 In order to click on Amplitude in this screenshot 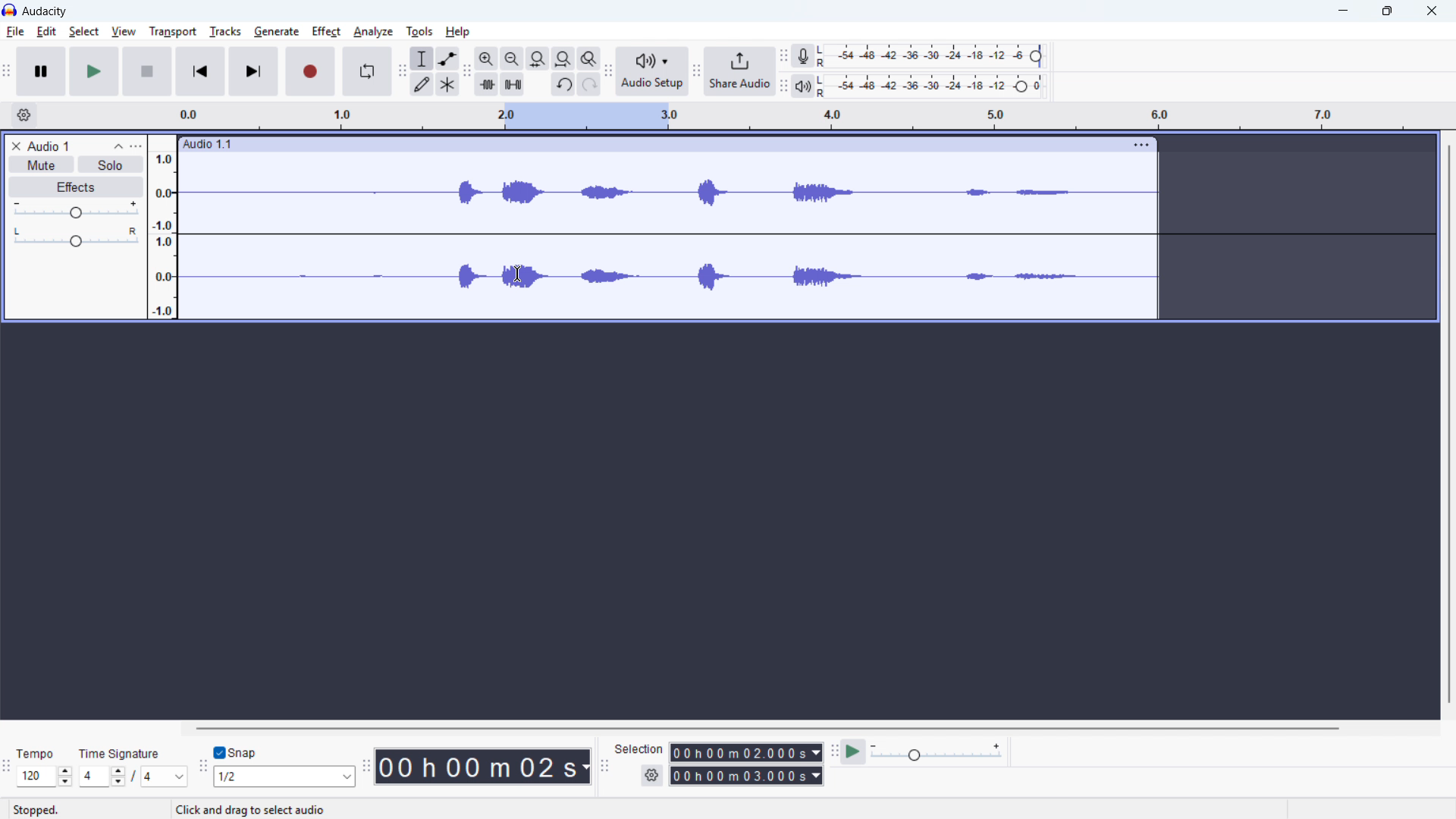, I will do `click(163, 226)`.